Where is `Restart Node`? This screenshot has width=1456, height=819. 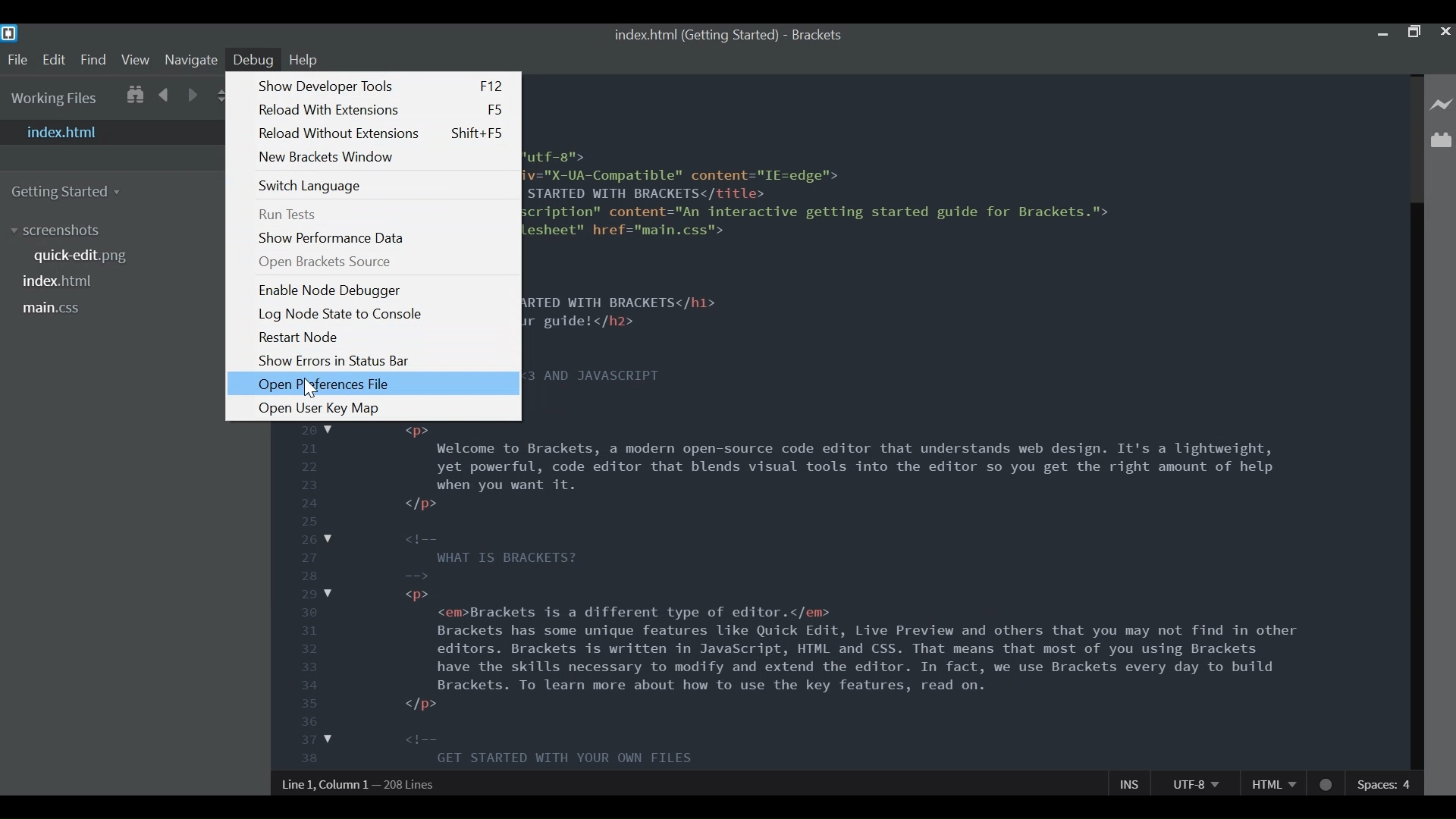 Restart Node is located at coordinates (300, 337).